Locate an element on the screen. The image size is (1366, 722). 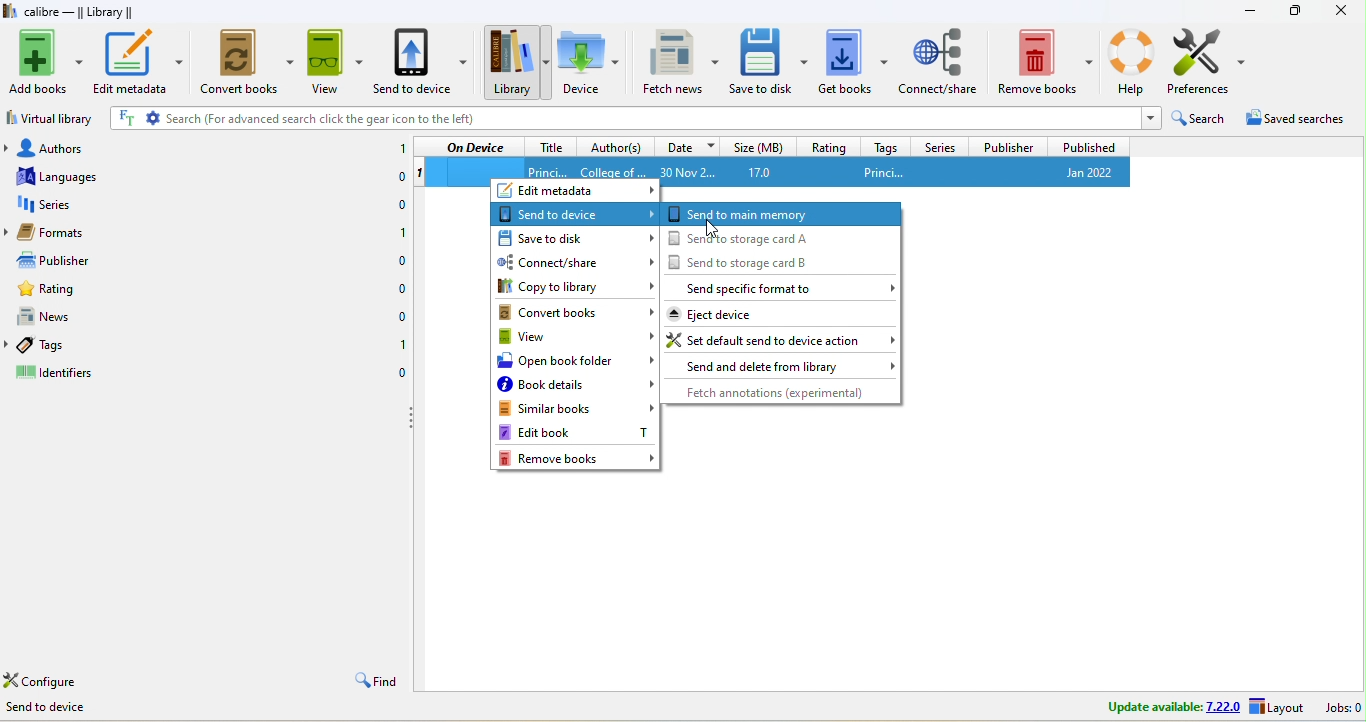
0 is located at coordinates (395, 206).